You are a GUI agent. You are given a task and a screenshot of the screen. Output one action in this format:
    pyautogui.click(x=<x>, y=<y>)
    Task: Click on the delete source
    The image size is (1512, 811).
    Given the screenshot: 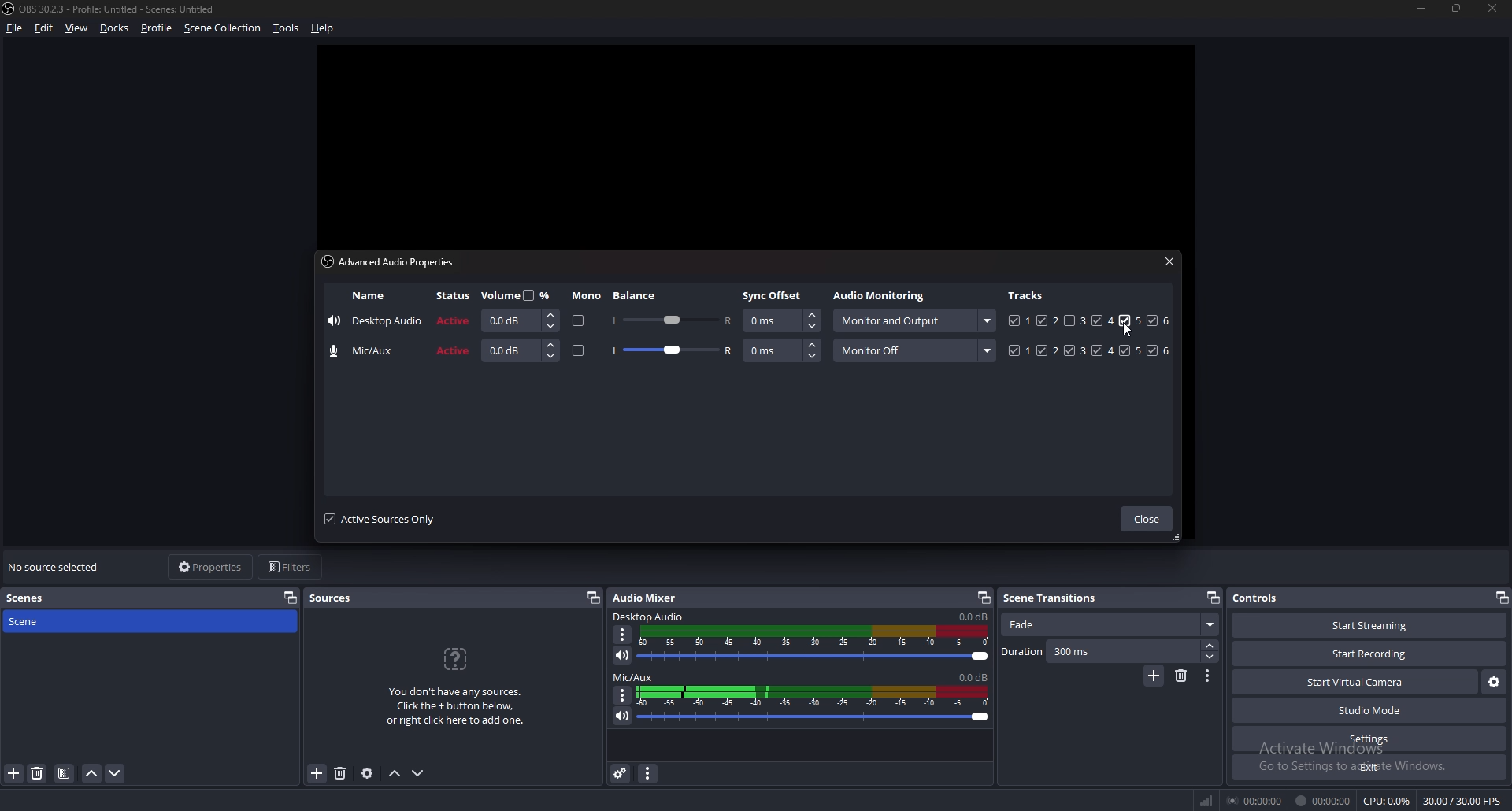 What is the action you would take?
    pyautogui.click(x=342, y=772)
    